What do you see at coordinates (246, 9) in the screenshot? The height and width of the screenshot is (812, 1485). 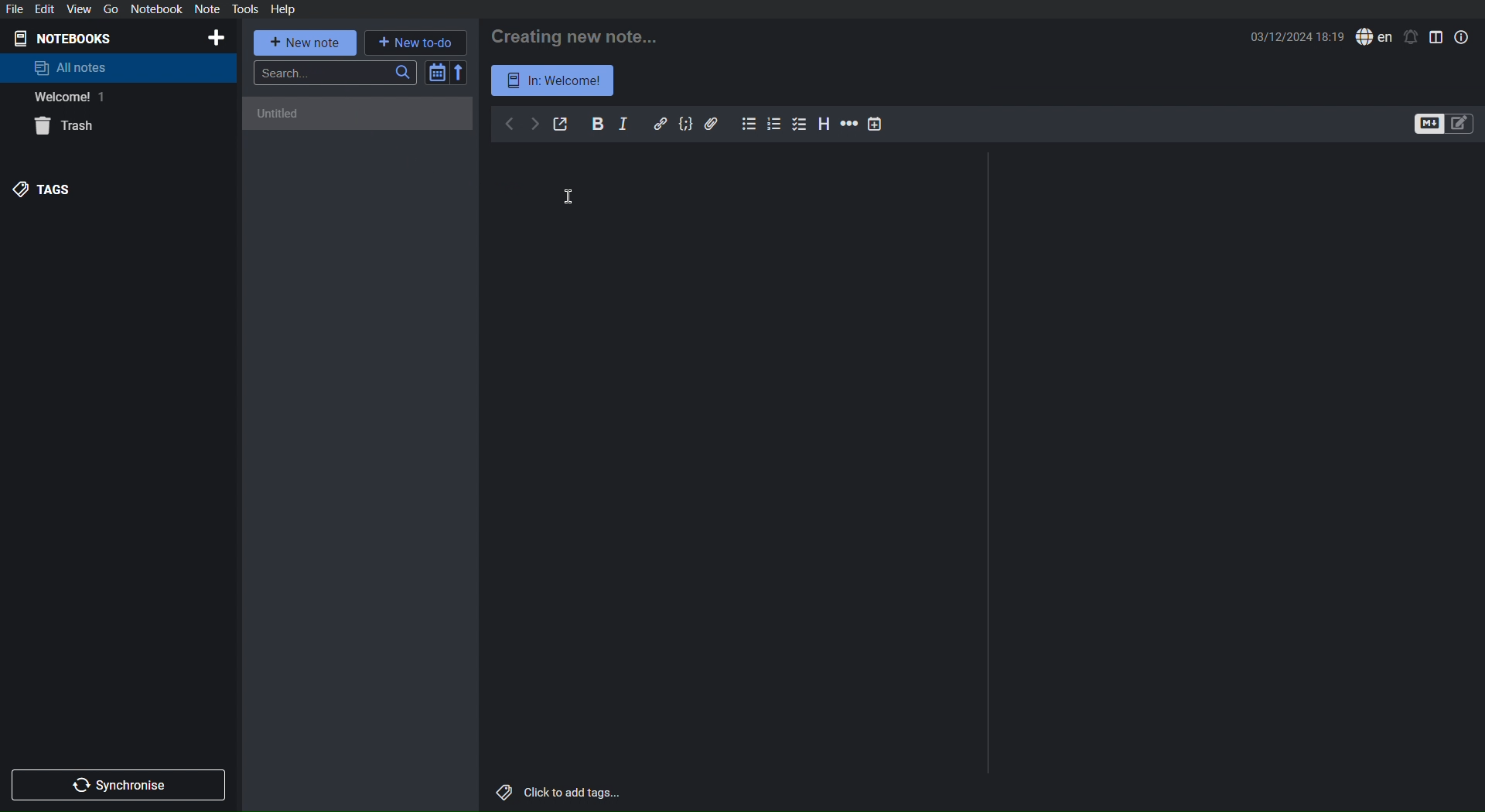 I see `Tools` at bounding box center [246, 9].